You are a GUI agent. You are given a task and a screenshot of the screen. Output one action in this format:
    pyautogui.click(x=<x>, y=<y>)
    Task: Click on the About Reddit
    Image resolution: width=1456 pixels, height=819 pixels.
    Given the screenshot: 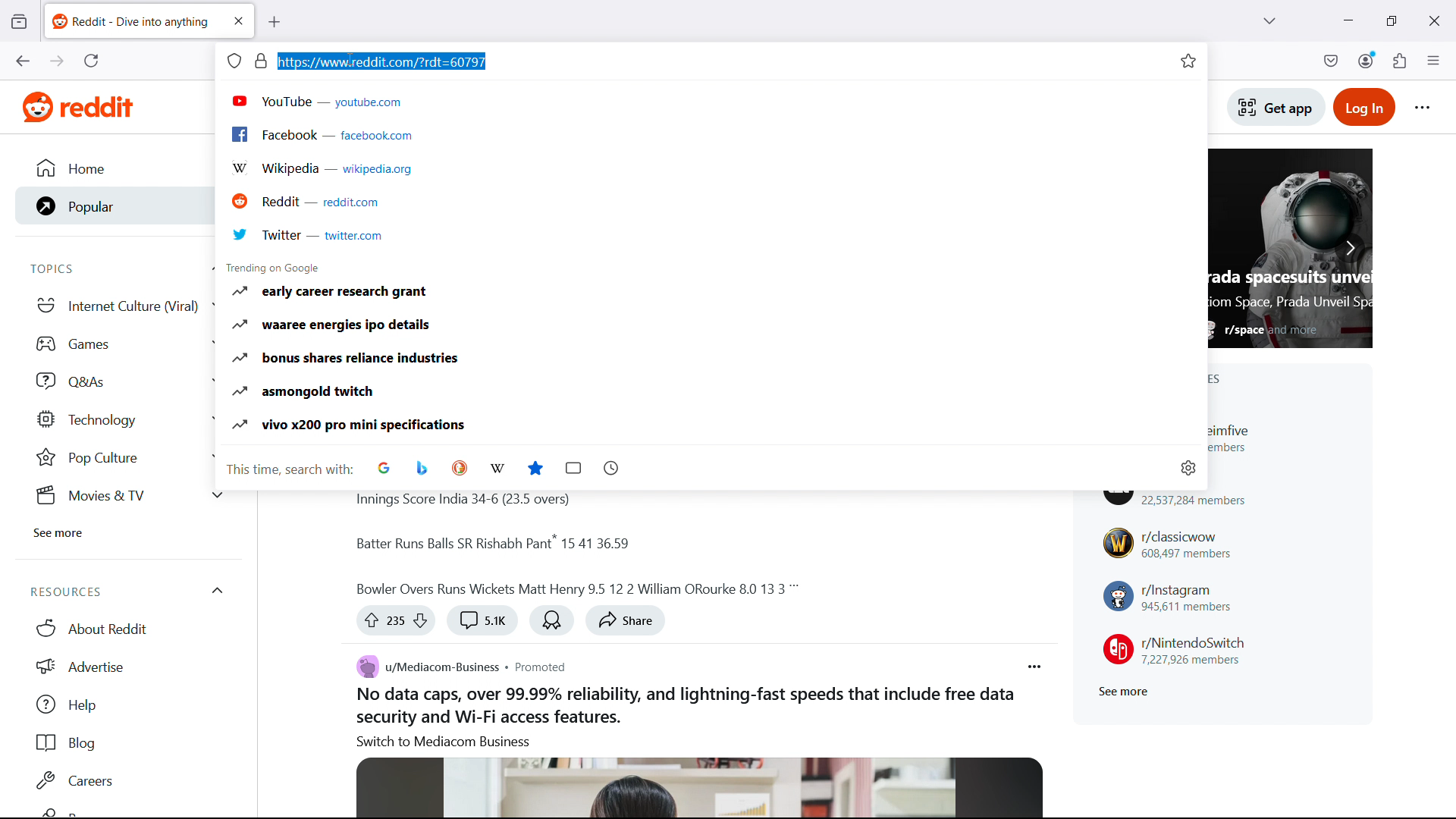 What is the action you would take?
    pyautogui.click(x=126, y=628)
    